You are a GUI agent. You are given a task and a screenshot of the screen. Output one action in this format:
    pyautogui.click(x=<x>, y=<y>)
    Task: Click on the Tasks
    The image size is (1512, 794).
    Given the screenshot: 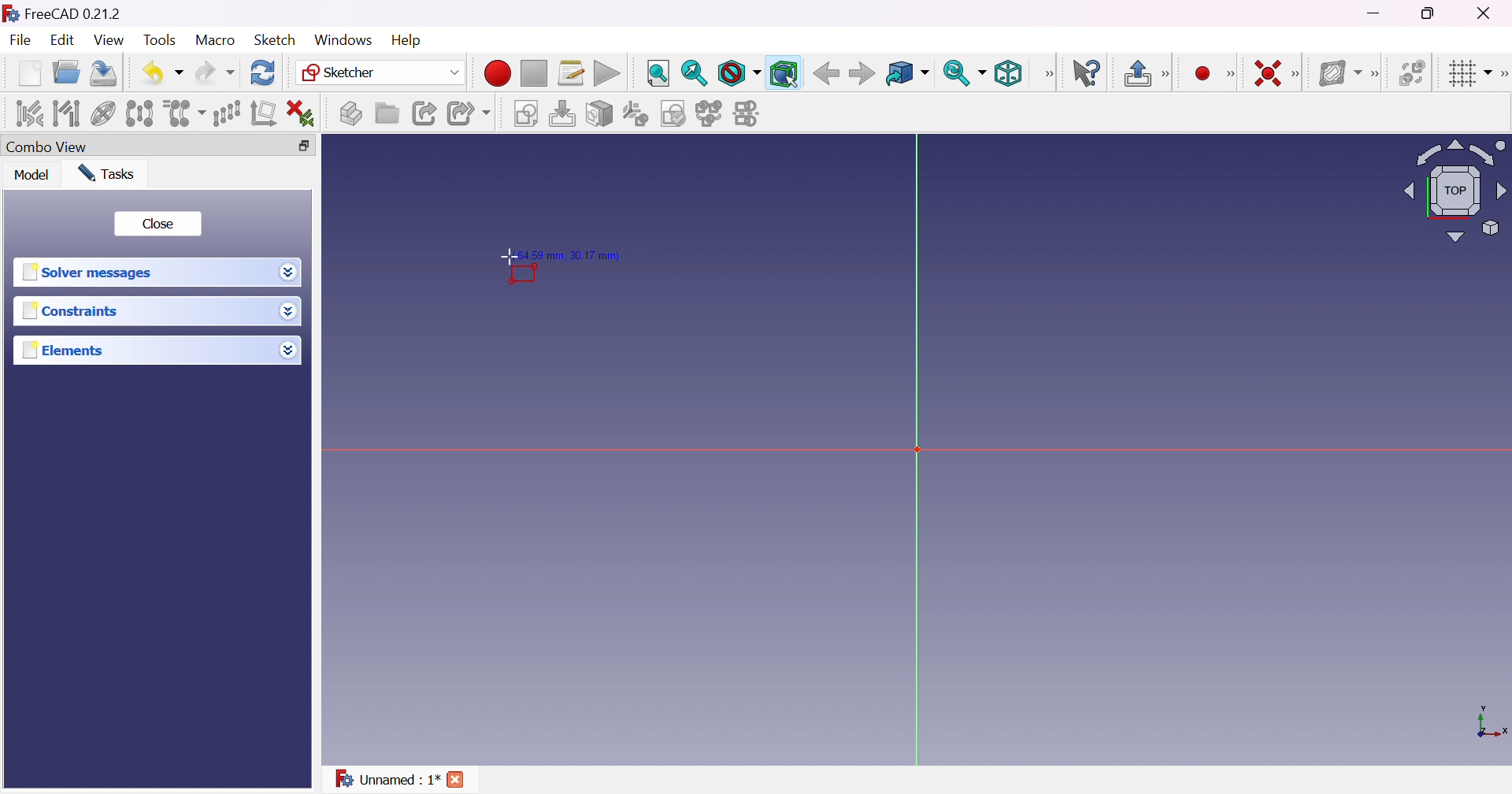 What is the action you would take?
    pyautogui.click(x=106, y=173)
    